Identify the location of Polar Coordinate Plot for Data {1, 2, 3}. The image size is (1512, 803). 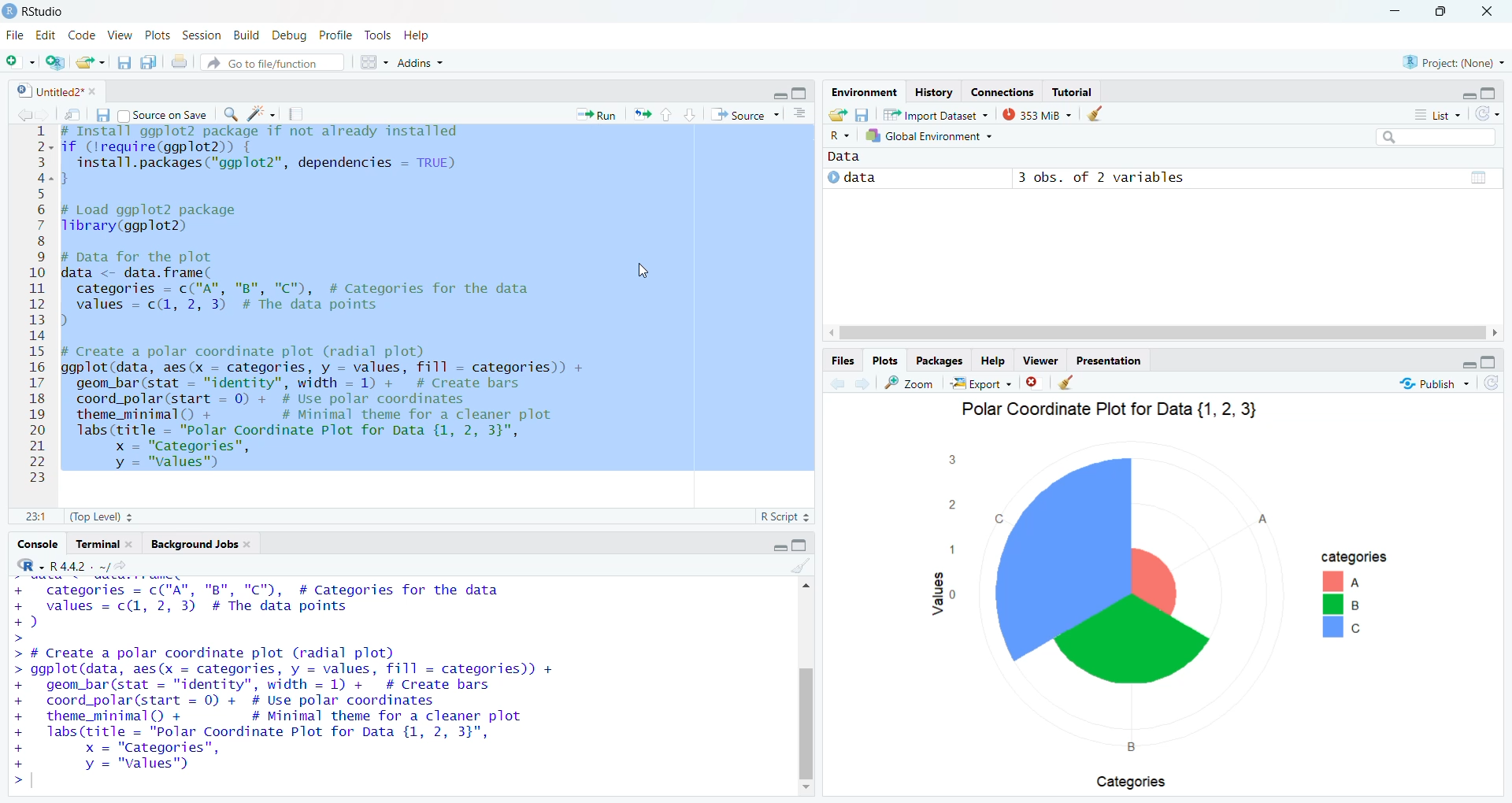
(1086, 416).